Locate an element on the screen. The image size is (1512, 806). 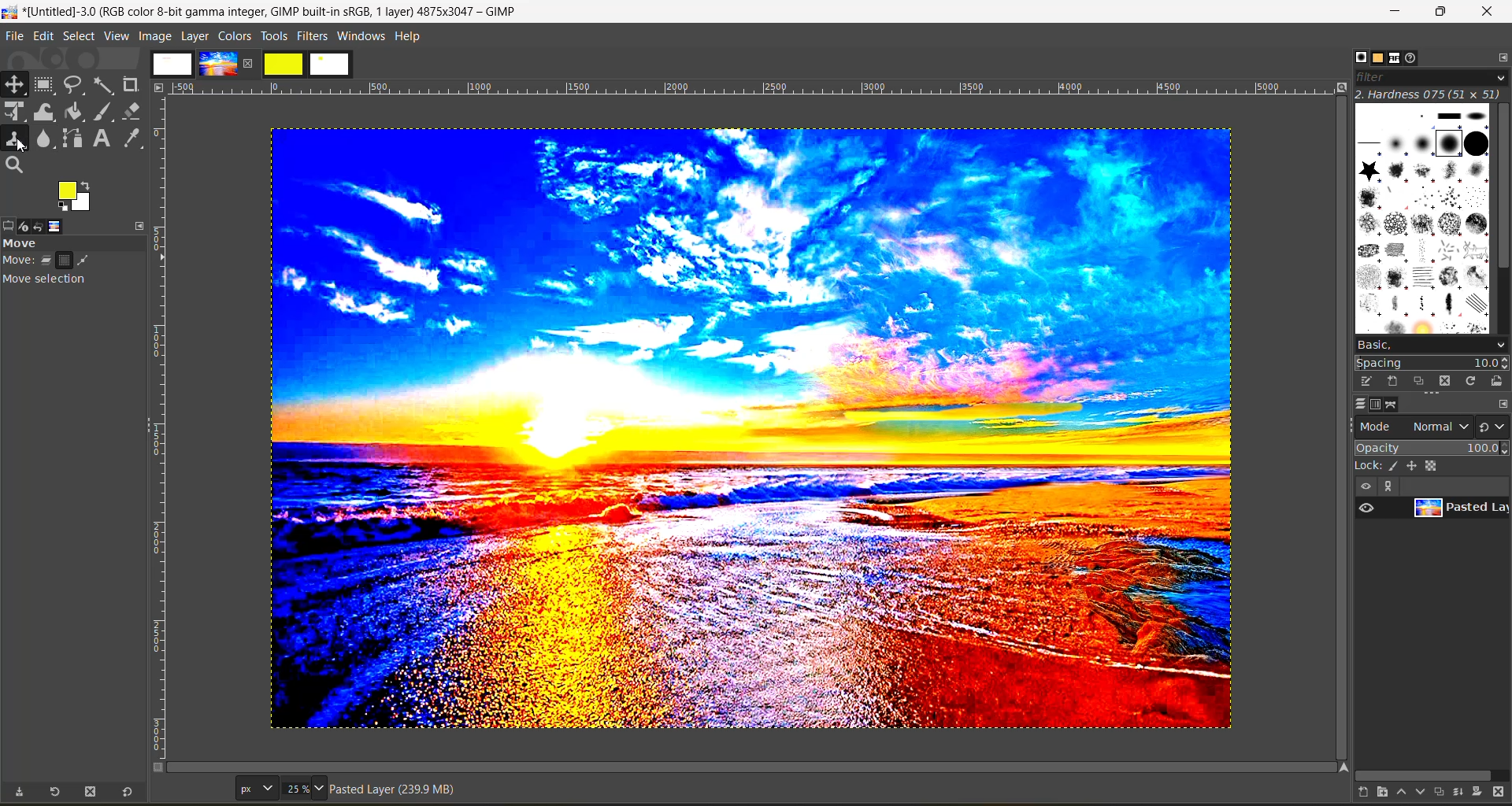
file is located at coordinates (15, 35).